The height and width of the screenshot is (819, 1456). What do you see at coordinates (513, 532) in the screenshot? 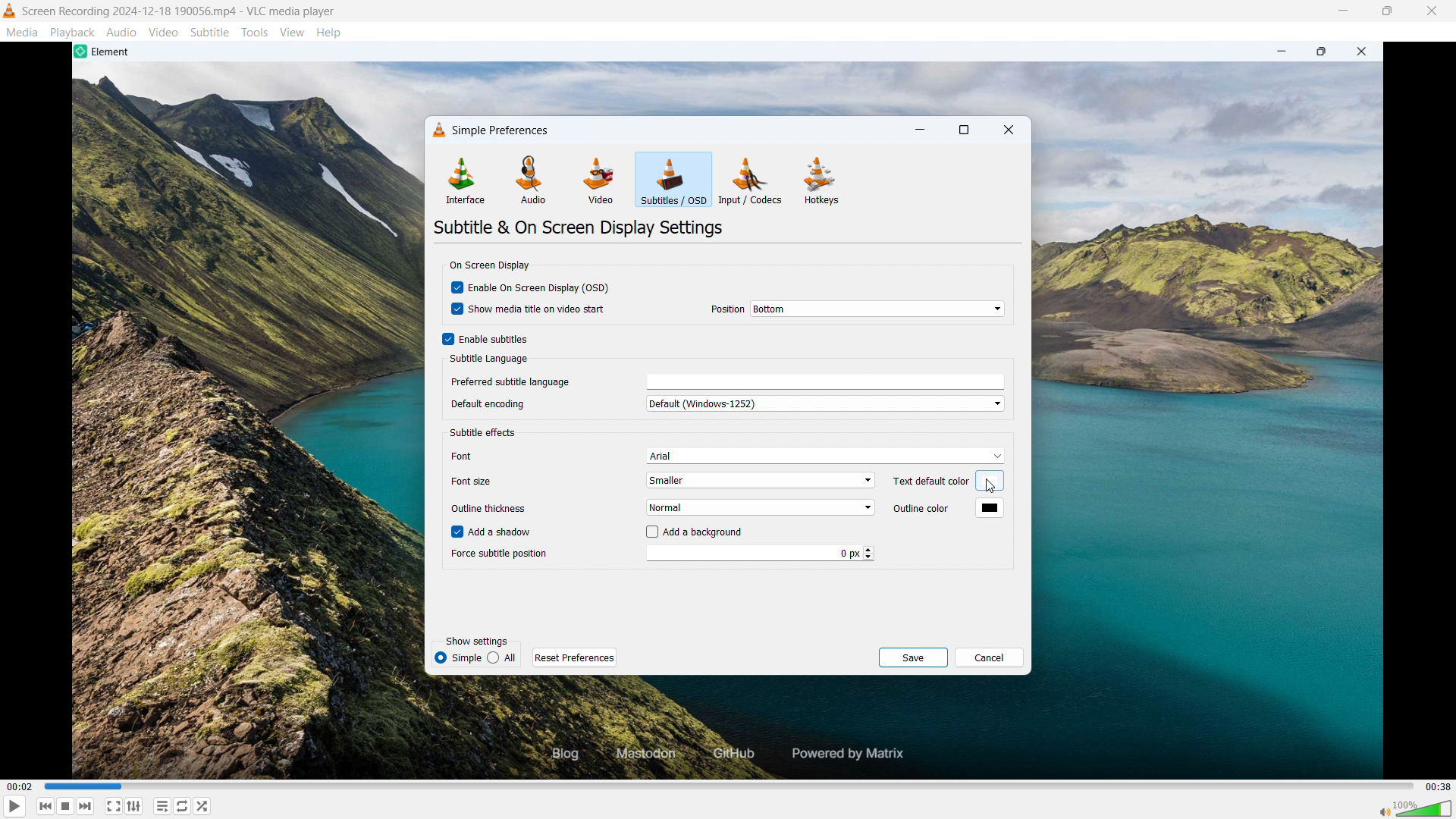
I see `Add a shadow ` at bounding box center [513, 532].